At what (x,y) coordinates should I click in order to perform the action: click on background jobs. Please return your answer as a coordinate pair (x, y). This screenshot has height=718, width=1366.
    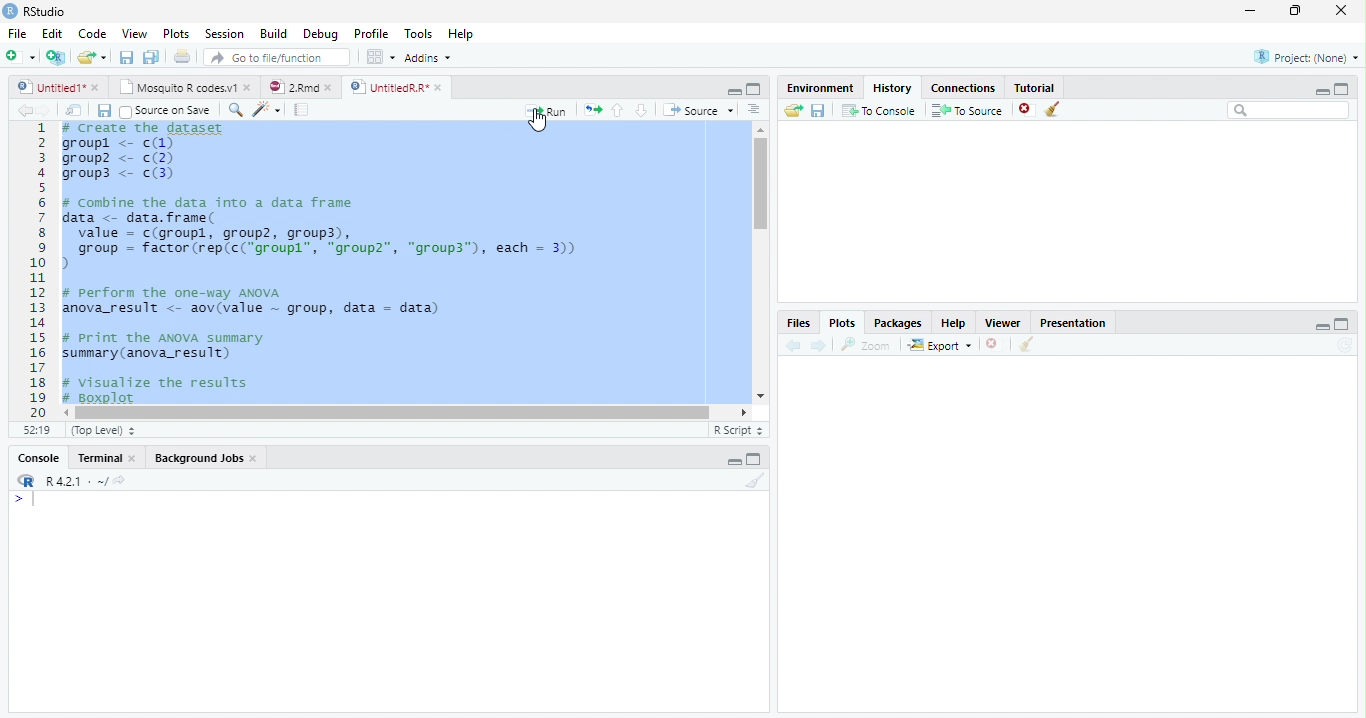
    Looking at the image, I should click on (207, 460).